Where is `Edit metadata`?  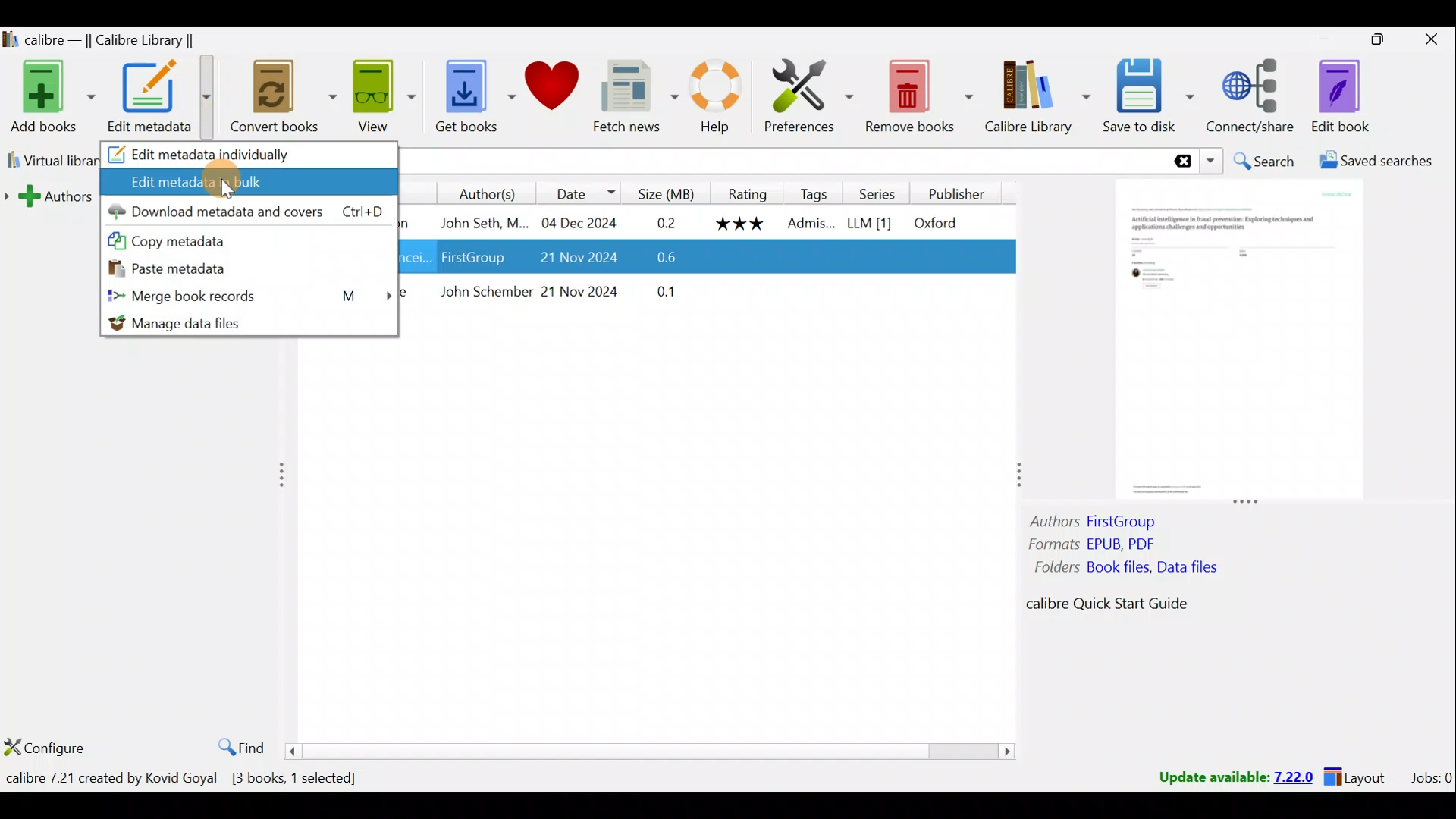
Edit metadata is located at coordinates (158, 99).